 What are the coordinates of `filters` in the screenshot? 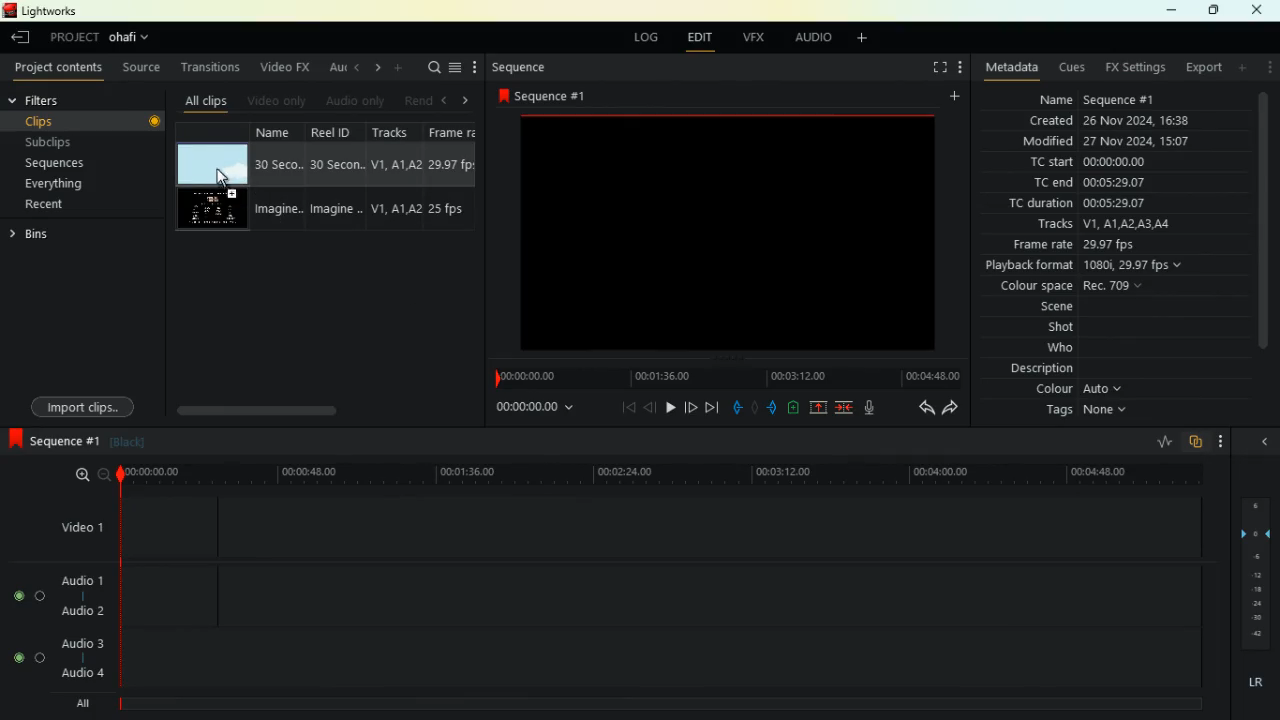 It's located at (59, 101).